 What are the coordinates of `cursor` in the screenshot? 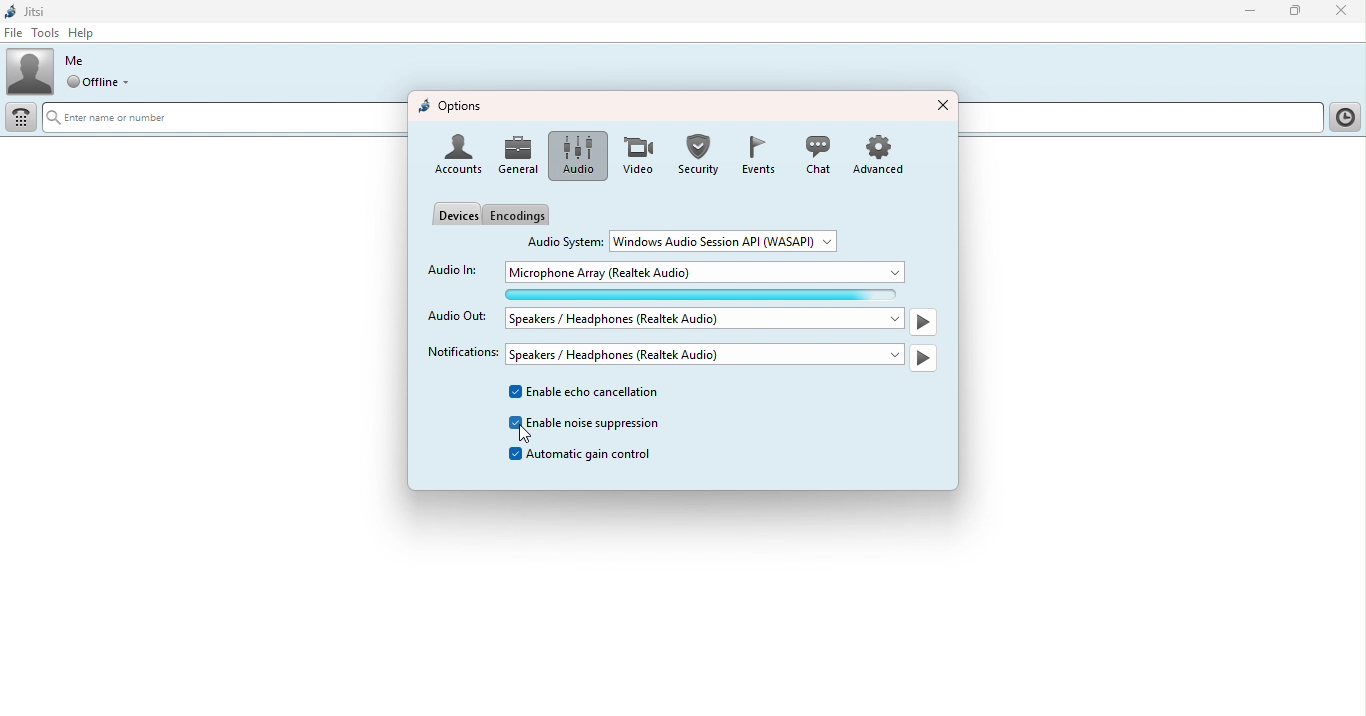 It's located at (522, 439).